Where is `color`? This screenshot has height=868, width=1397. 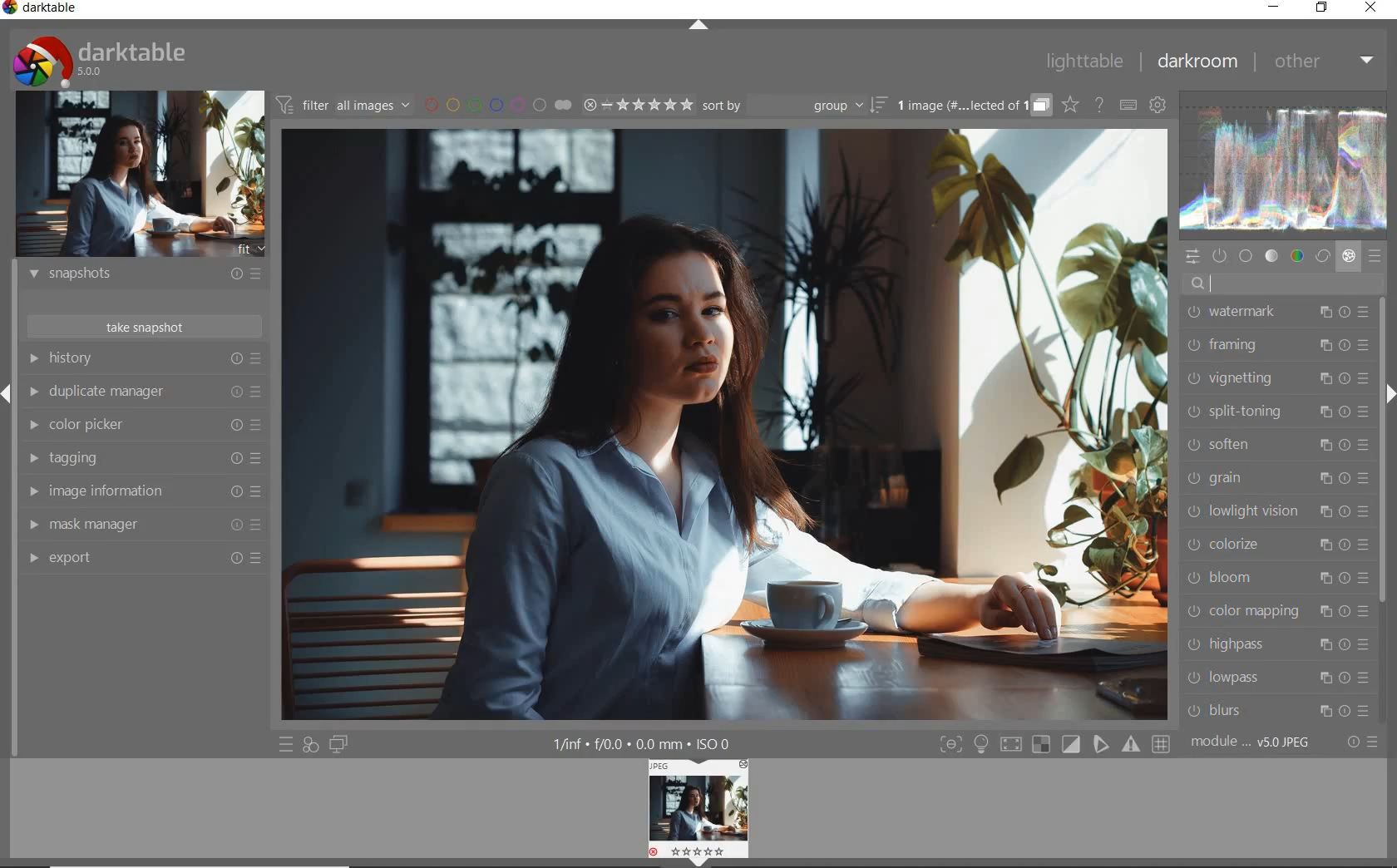 color is located at coordinates (1298, 255).